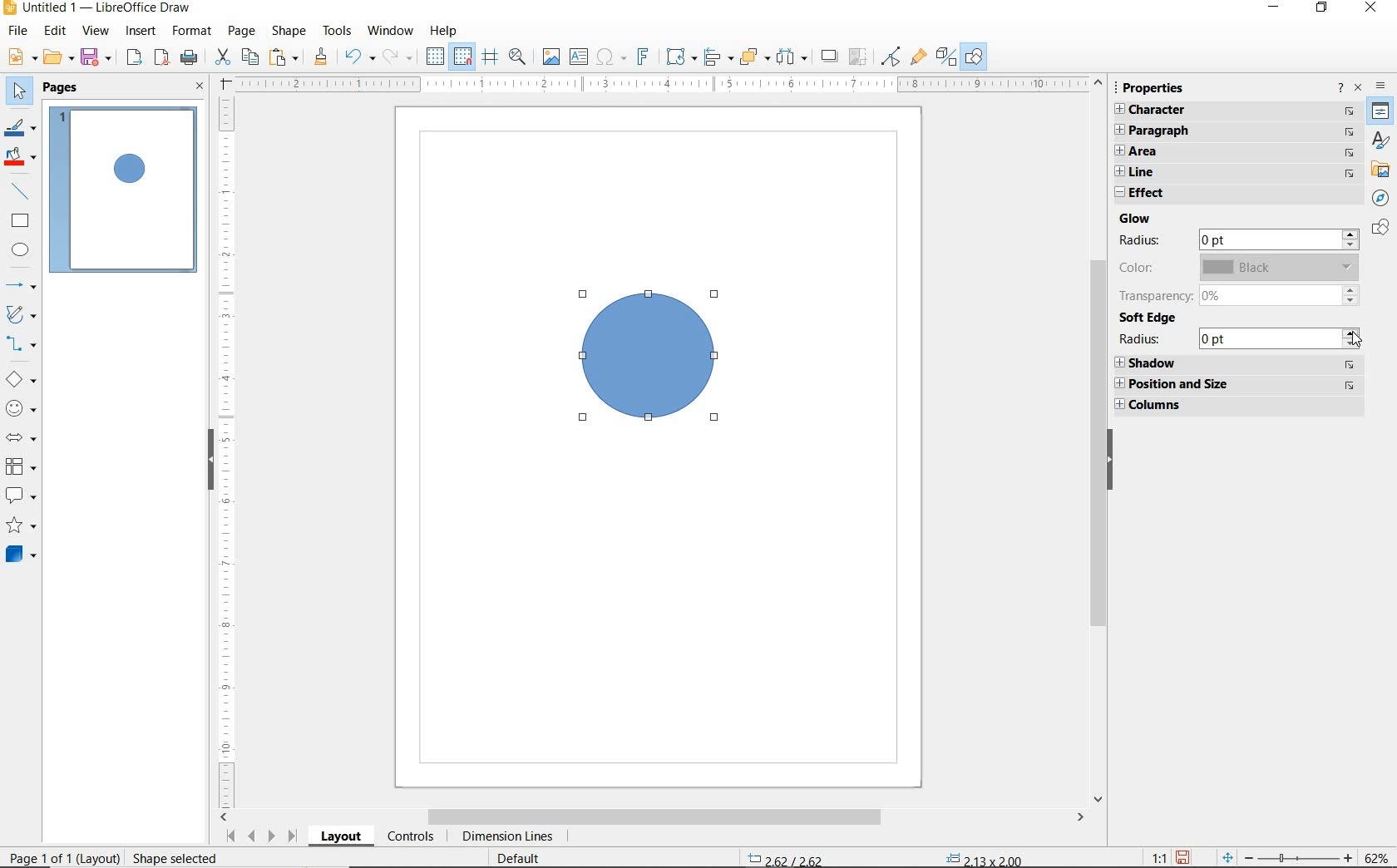  I want to click on FORMAT, so click(193, 31).